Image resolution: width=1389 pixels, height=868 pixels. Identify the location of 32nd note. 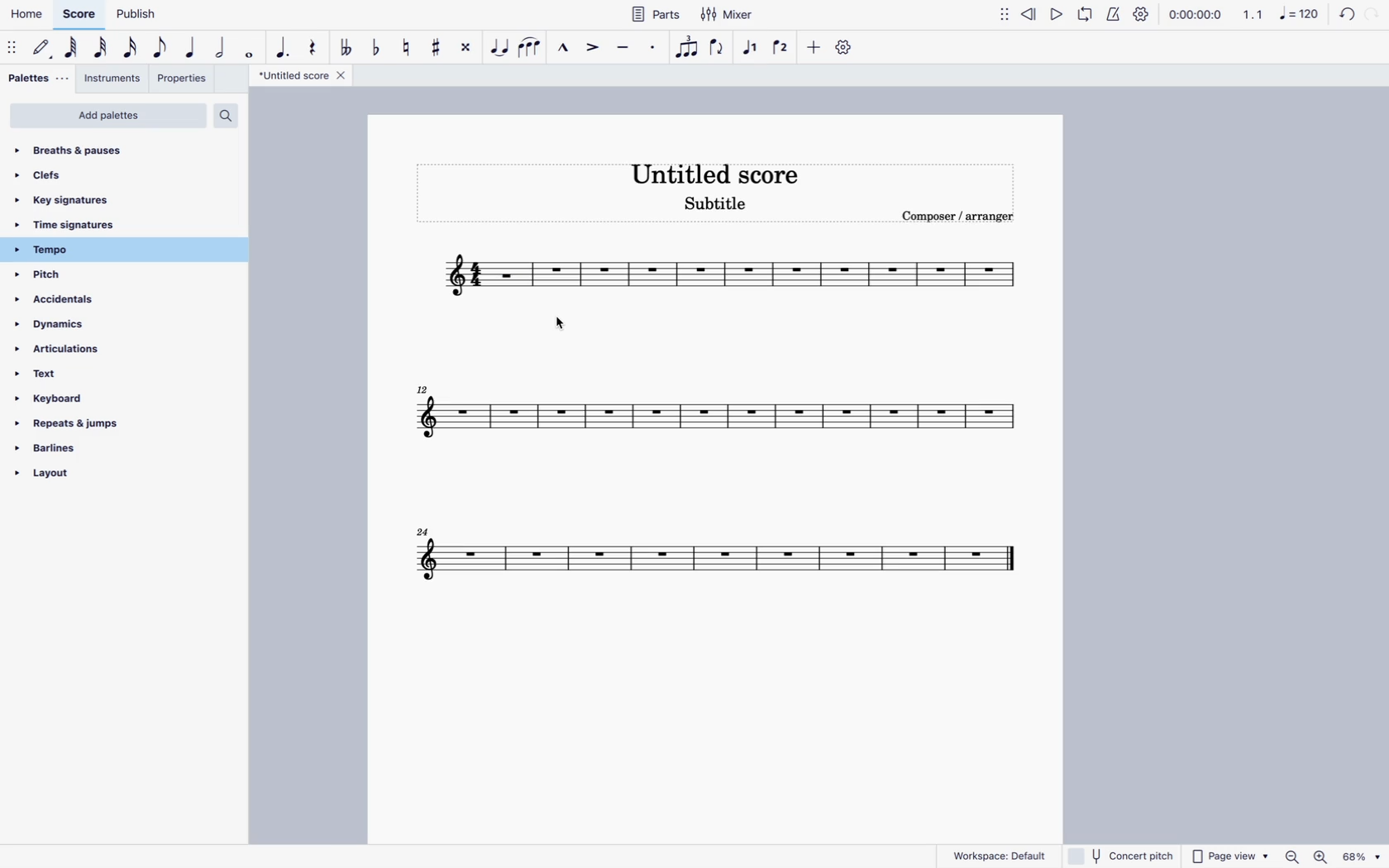
(103, 48).